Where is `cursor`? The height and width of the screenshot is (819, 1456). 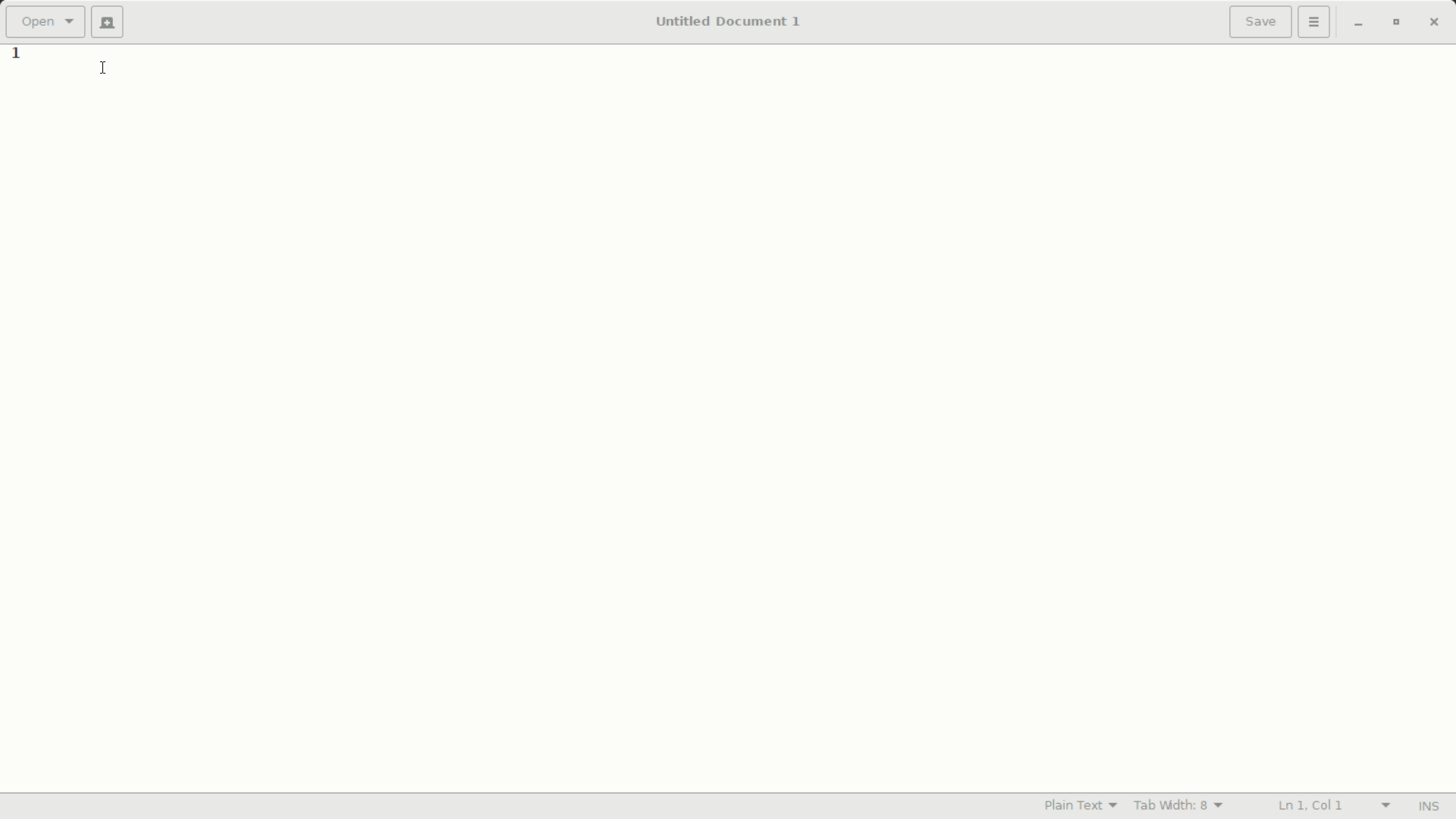
cursor is located at coordinates (104, 67).